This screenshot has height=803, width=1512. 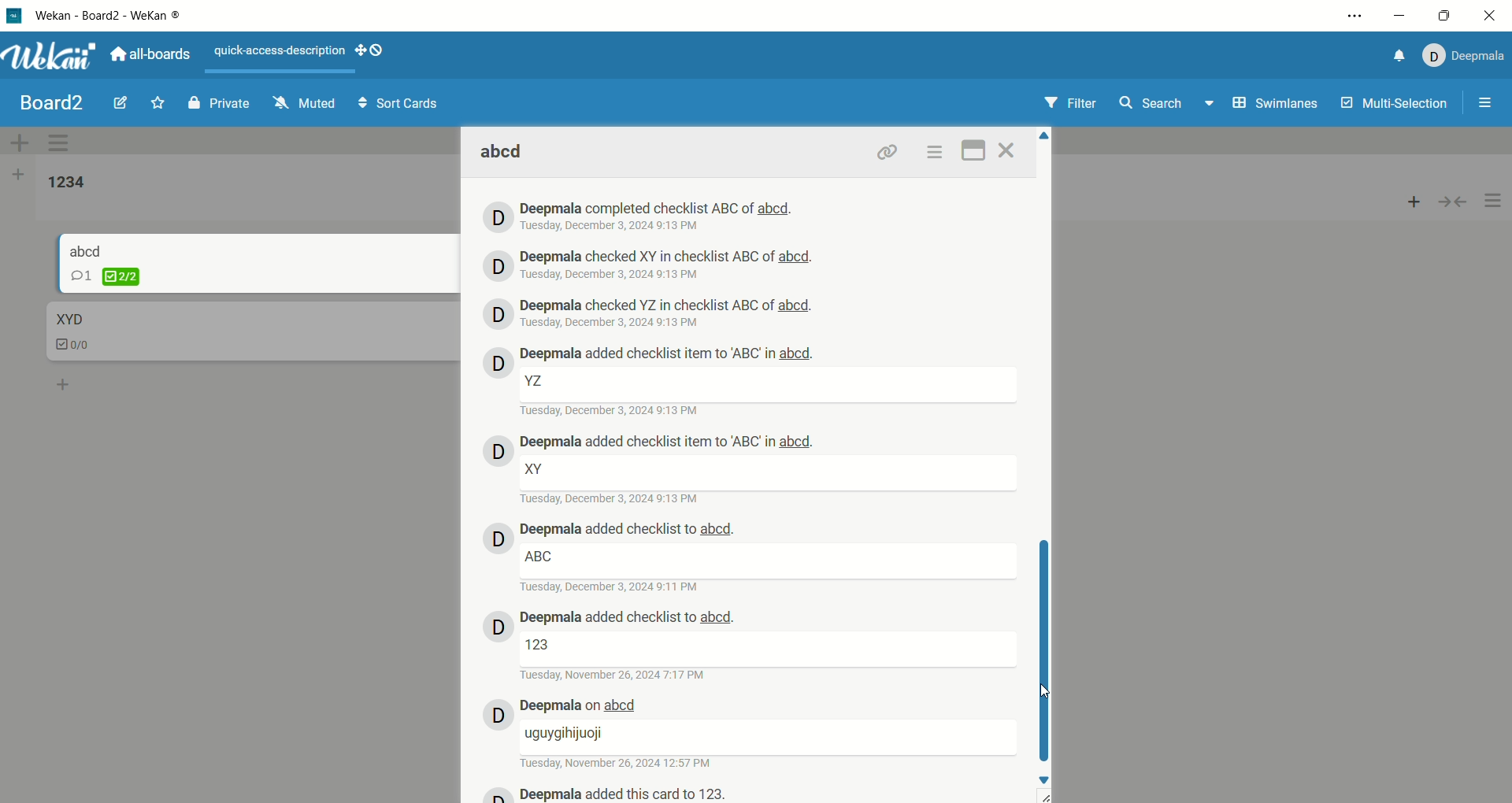 I want to click on avatar, so click(x=498, y=313).